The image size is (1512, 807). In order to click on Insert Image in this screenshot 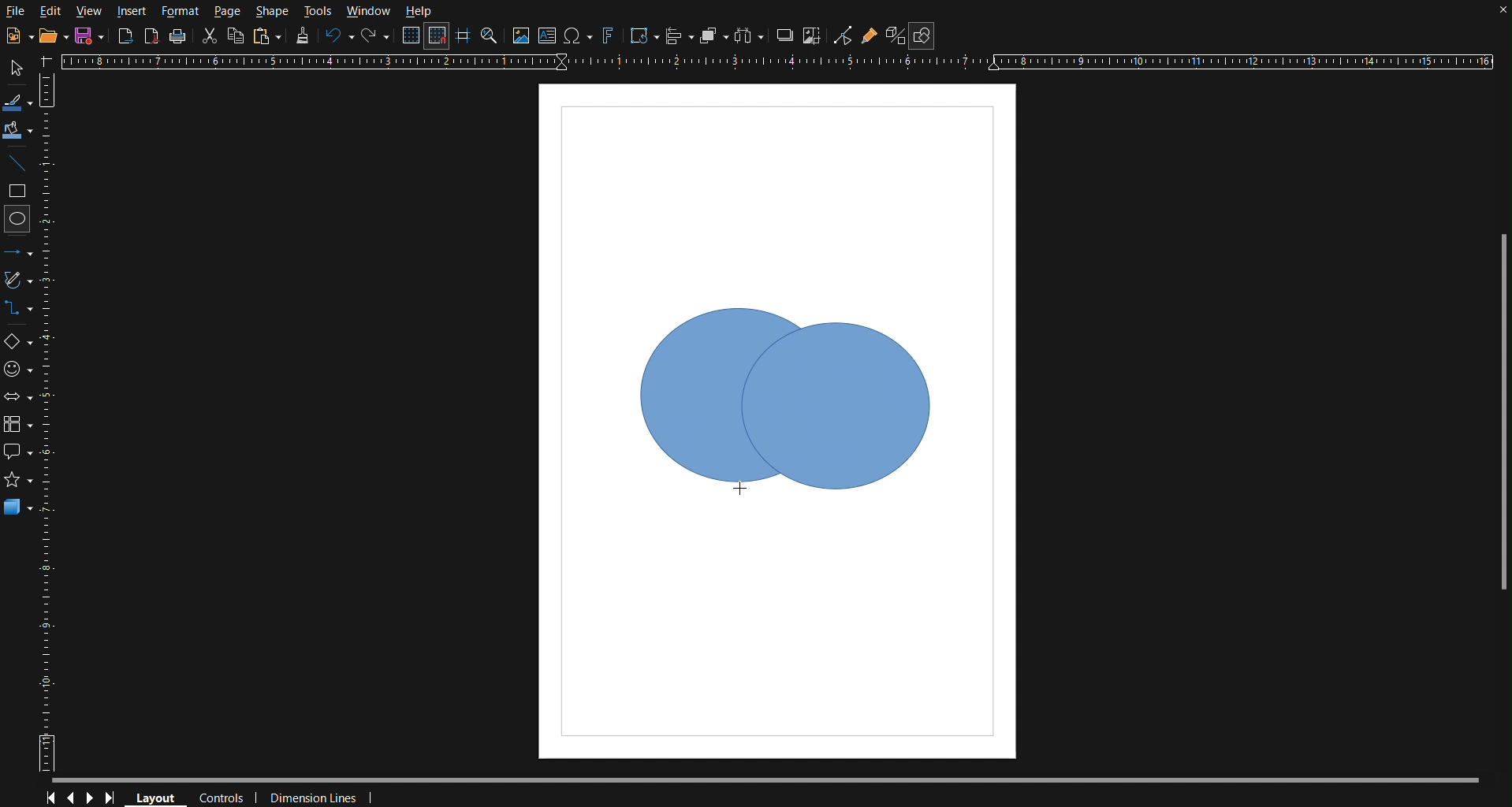, I will do `click(522, 35)`.